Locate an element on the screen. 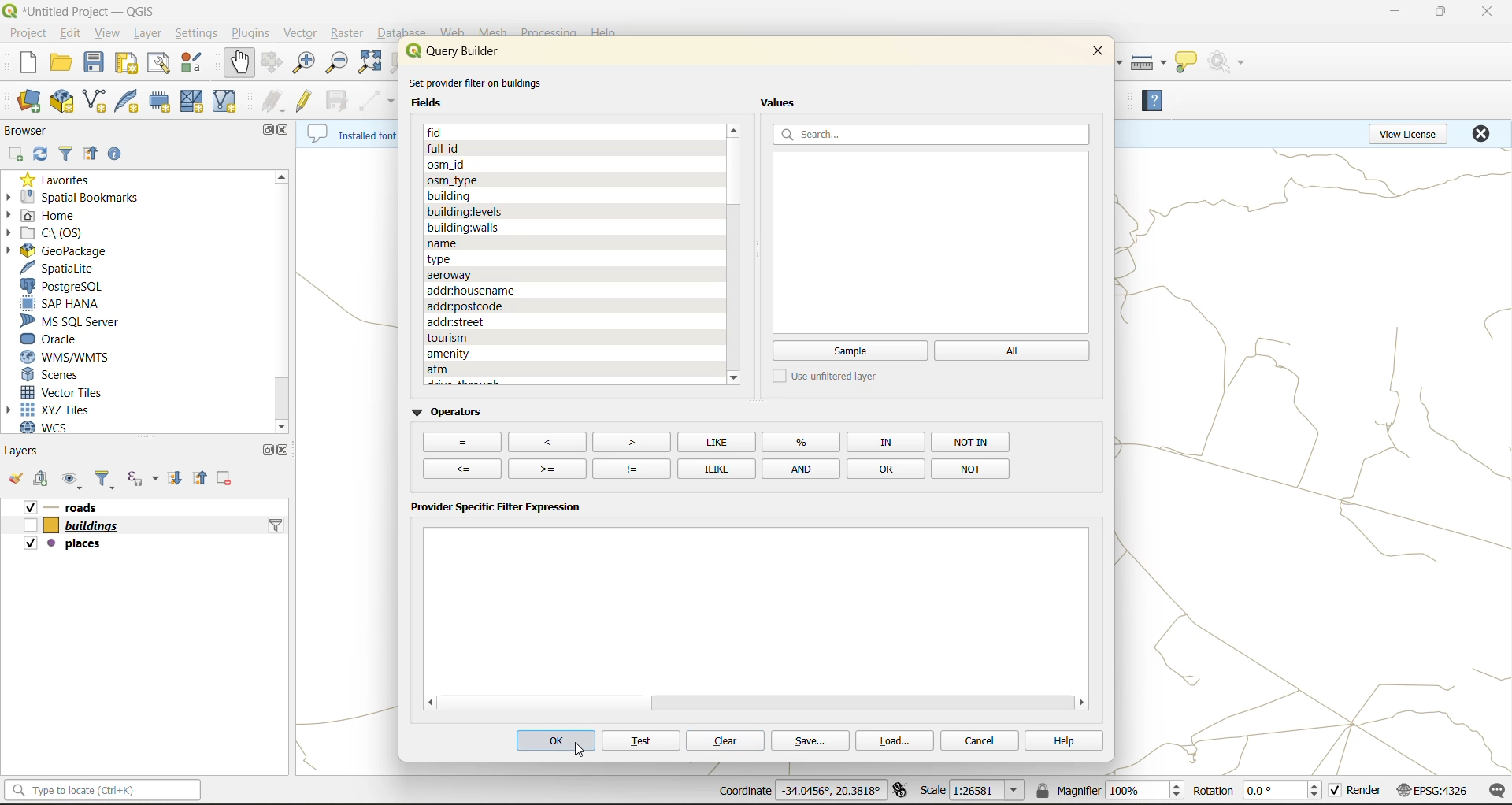 Image resolution: width=1512 pixels, height=805 pixels. filter by expression is located at coordinates (143, 480).